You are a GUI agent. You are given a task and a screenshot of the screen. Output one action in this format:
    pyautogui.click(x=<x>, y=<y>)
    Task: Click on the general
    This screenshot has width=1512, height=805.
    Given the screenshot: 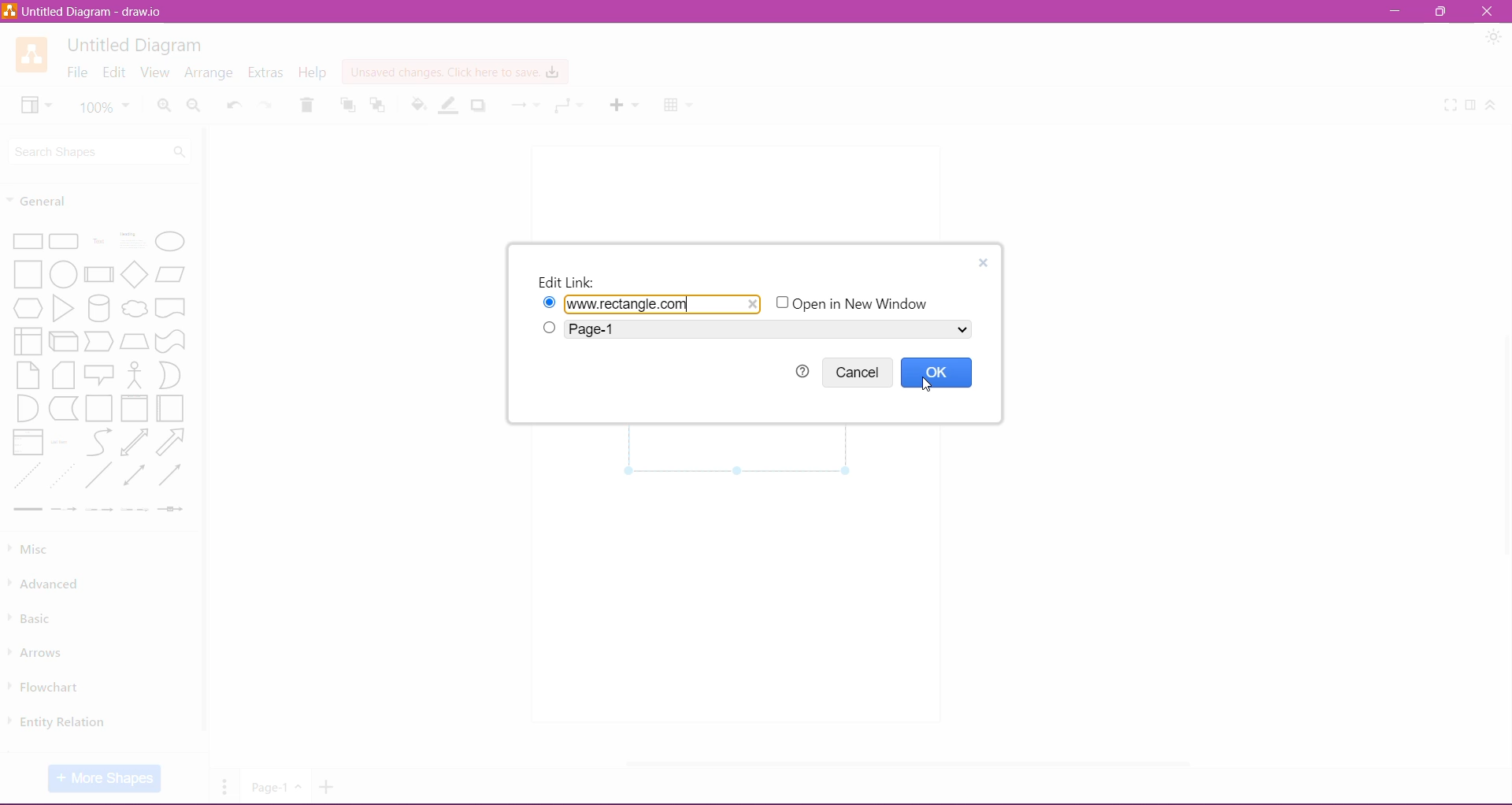 What is the action you would take?
    pyautogui.click(x=56, y=200)
    